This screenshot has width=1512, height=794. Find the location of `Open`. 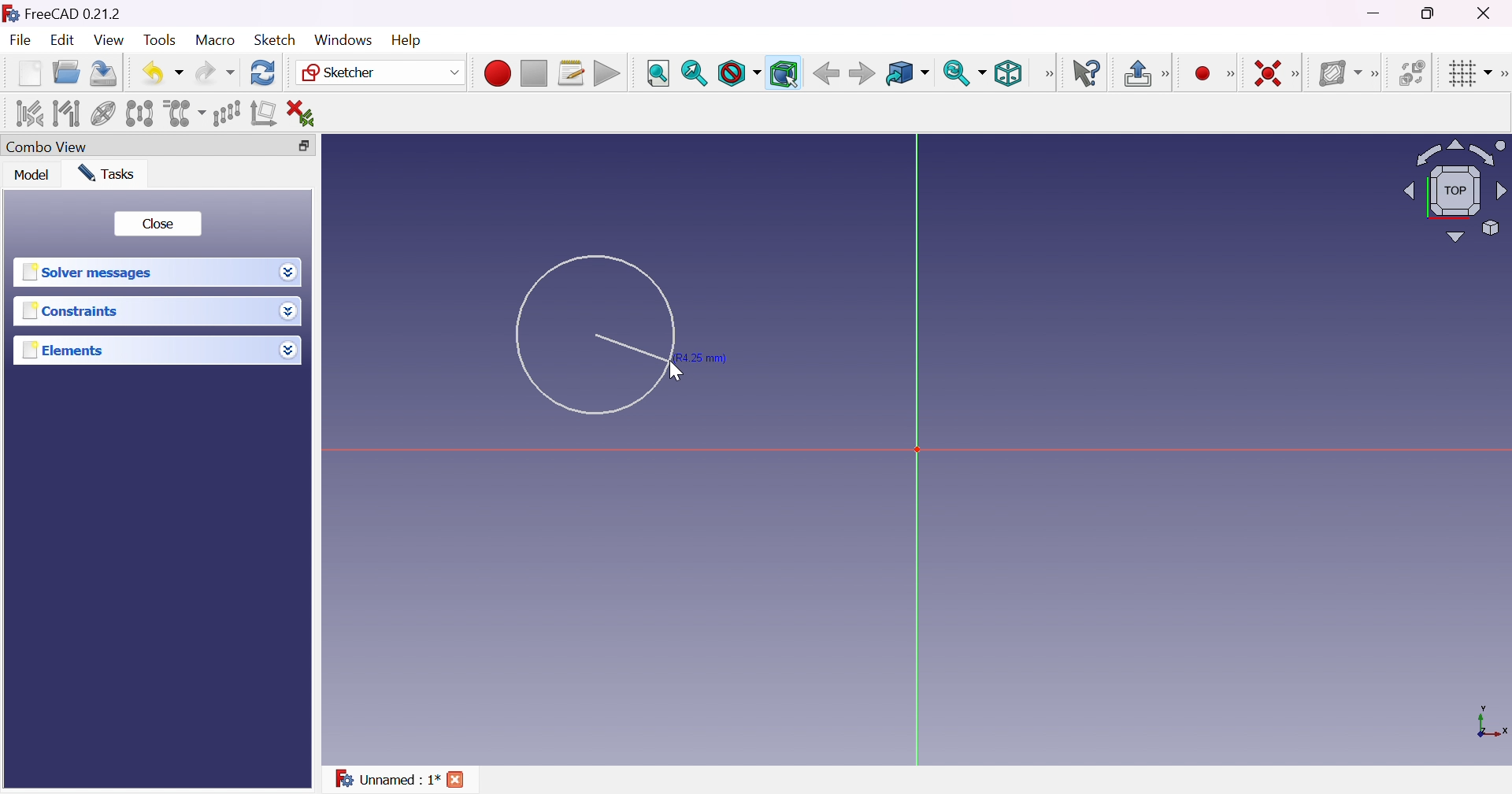

Open is located at coordinates (66, 72).